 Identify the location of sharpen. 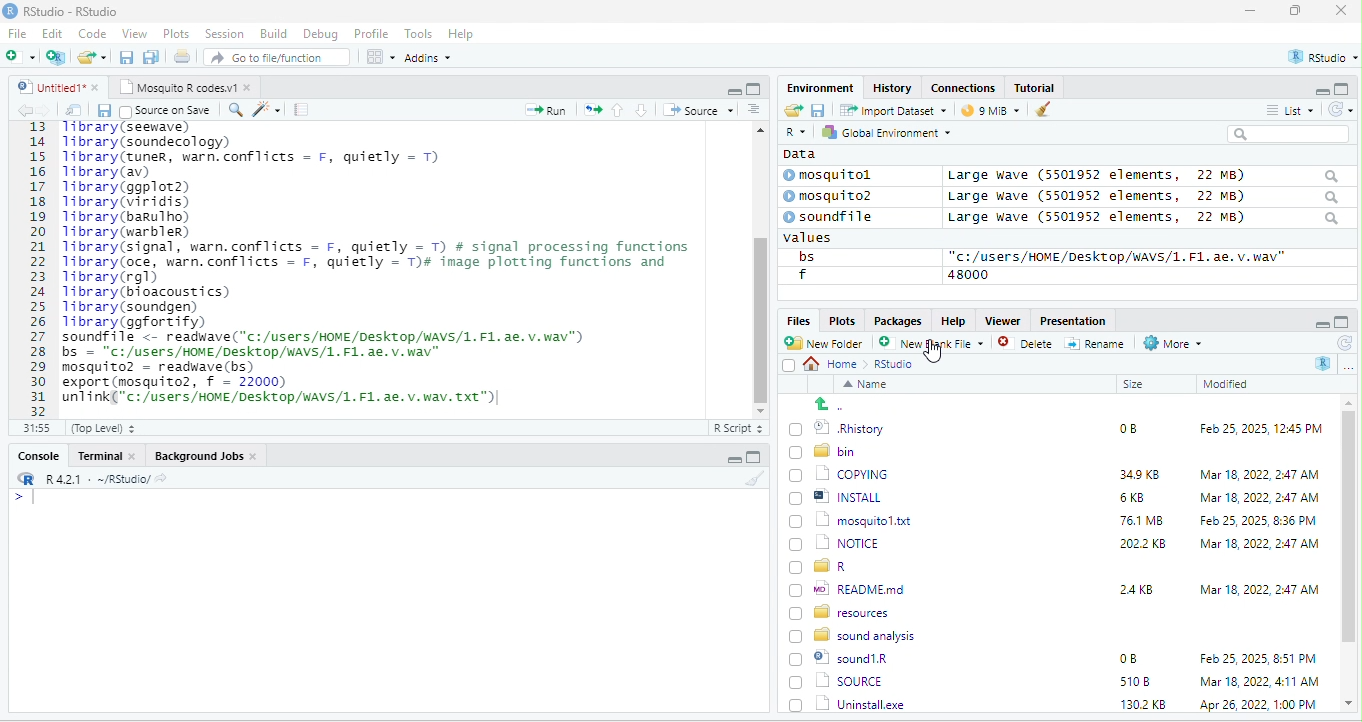
(267, 109).